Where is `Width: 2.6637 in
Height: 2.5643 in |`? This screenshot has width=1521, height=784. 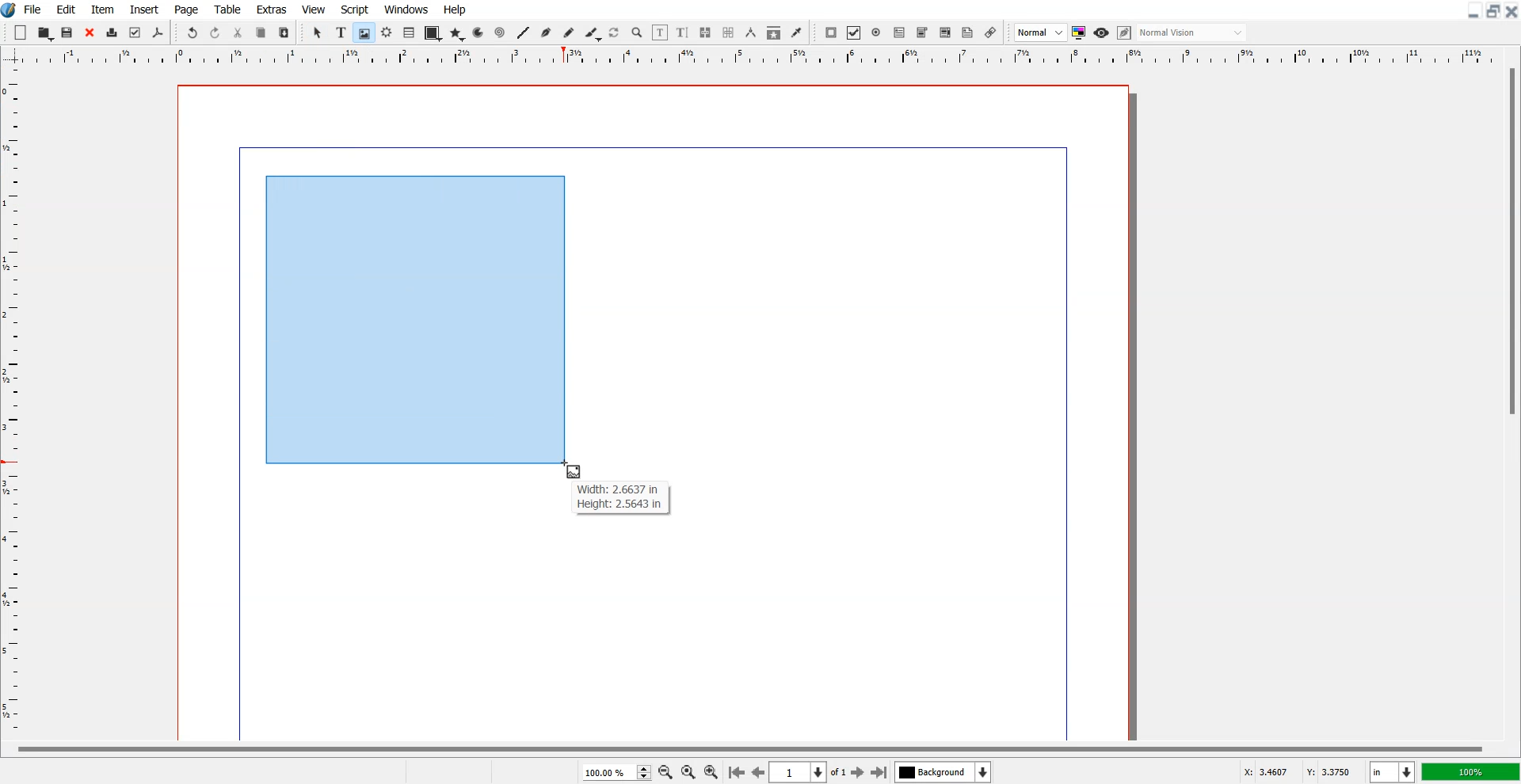 Width: 2.6637 in
Height: 2.5643 in | is located at coordinates (620, 497).